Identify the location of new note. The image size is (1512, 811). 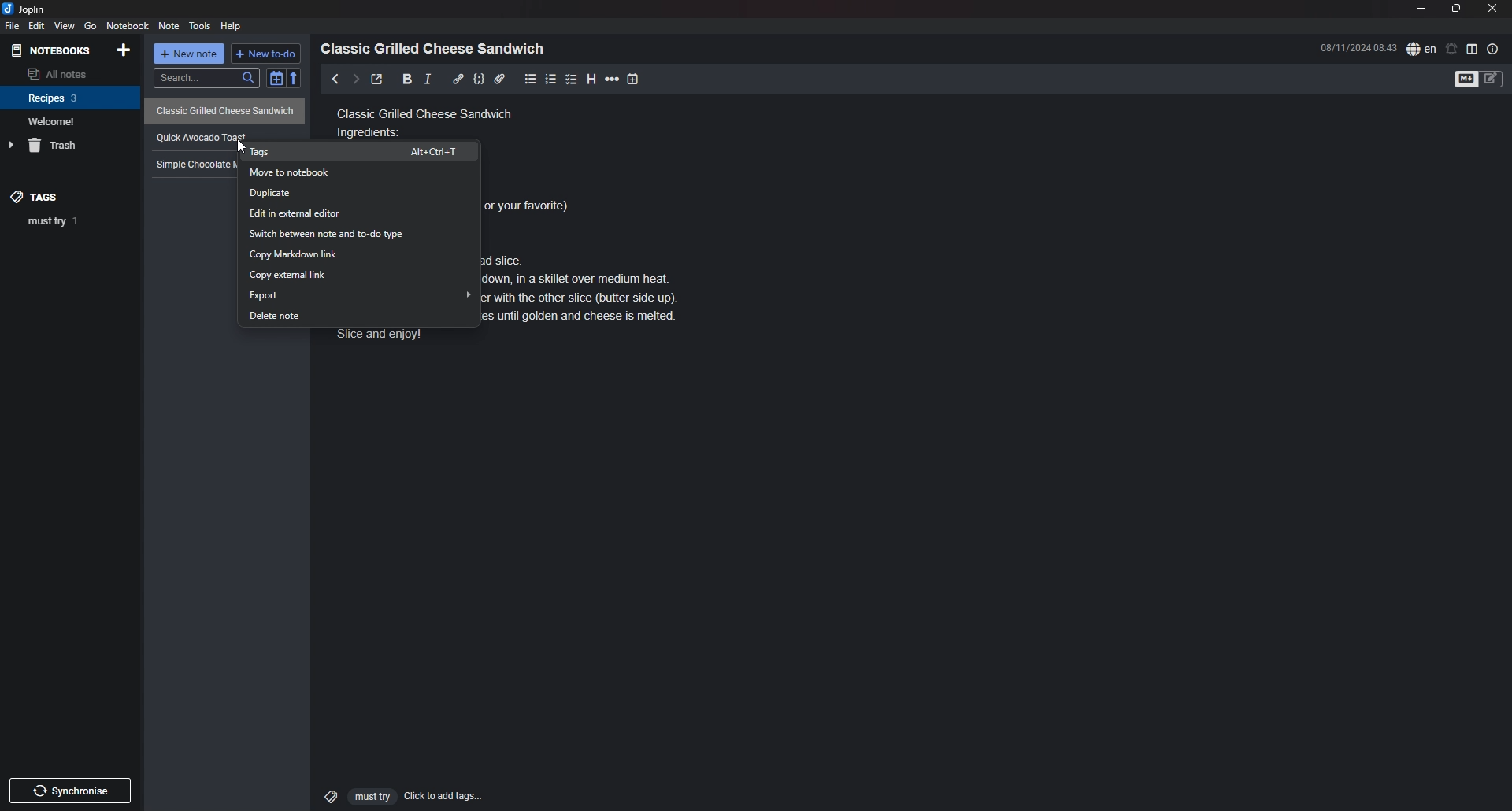
(191, 55).